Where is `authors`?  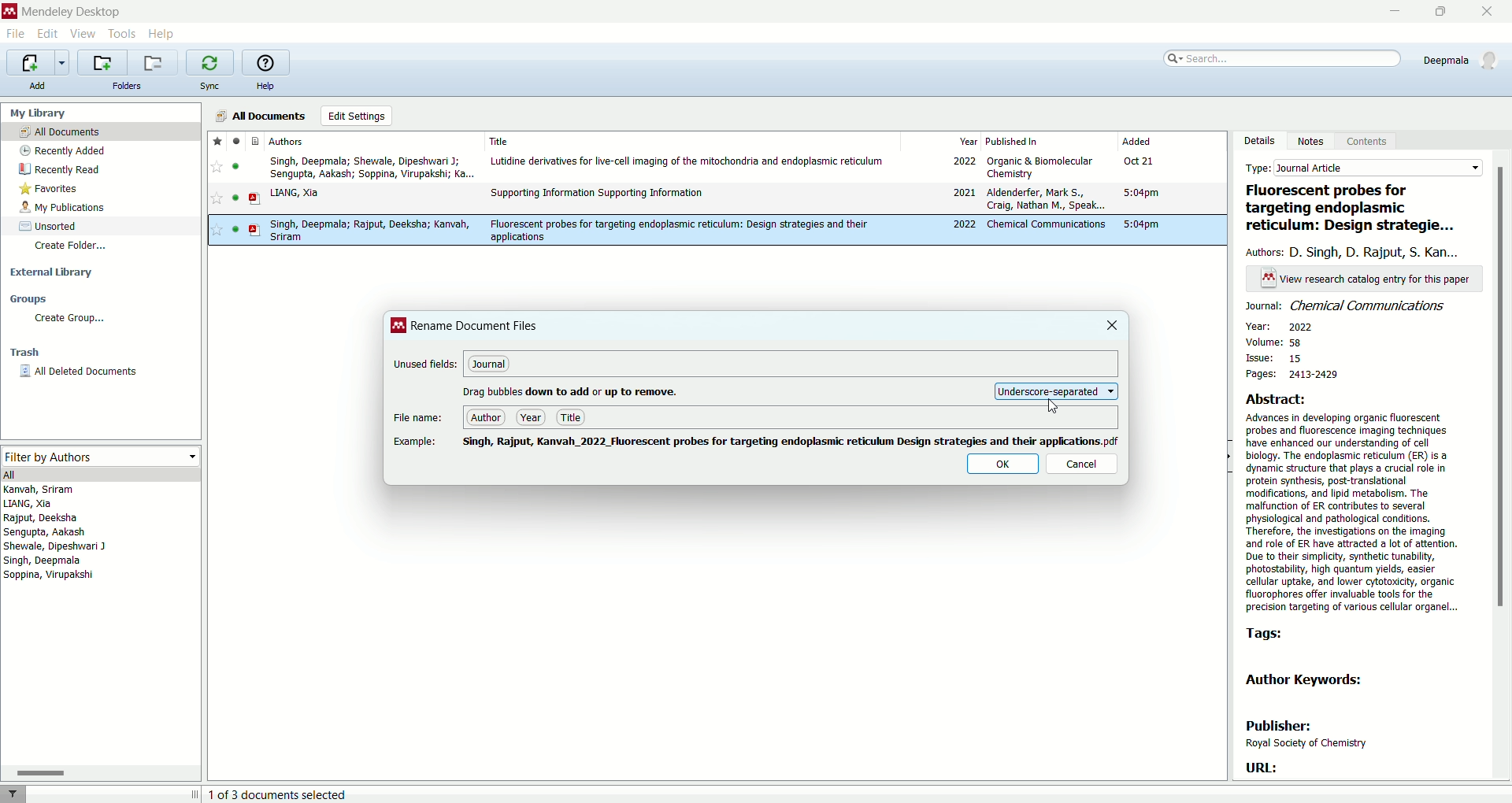
authors is located at coordinates (1358, 253).